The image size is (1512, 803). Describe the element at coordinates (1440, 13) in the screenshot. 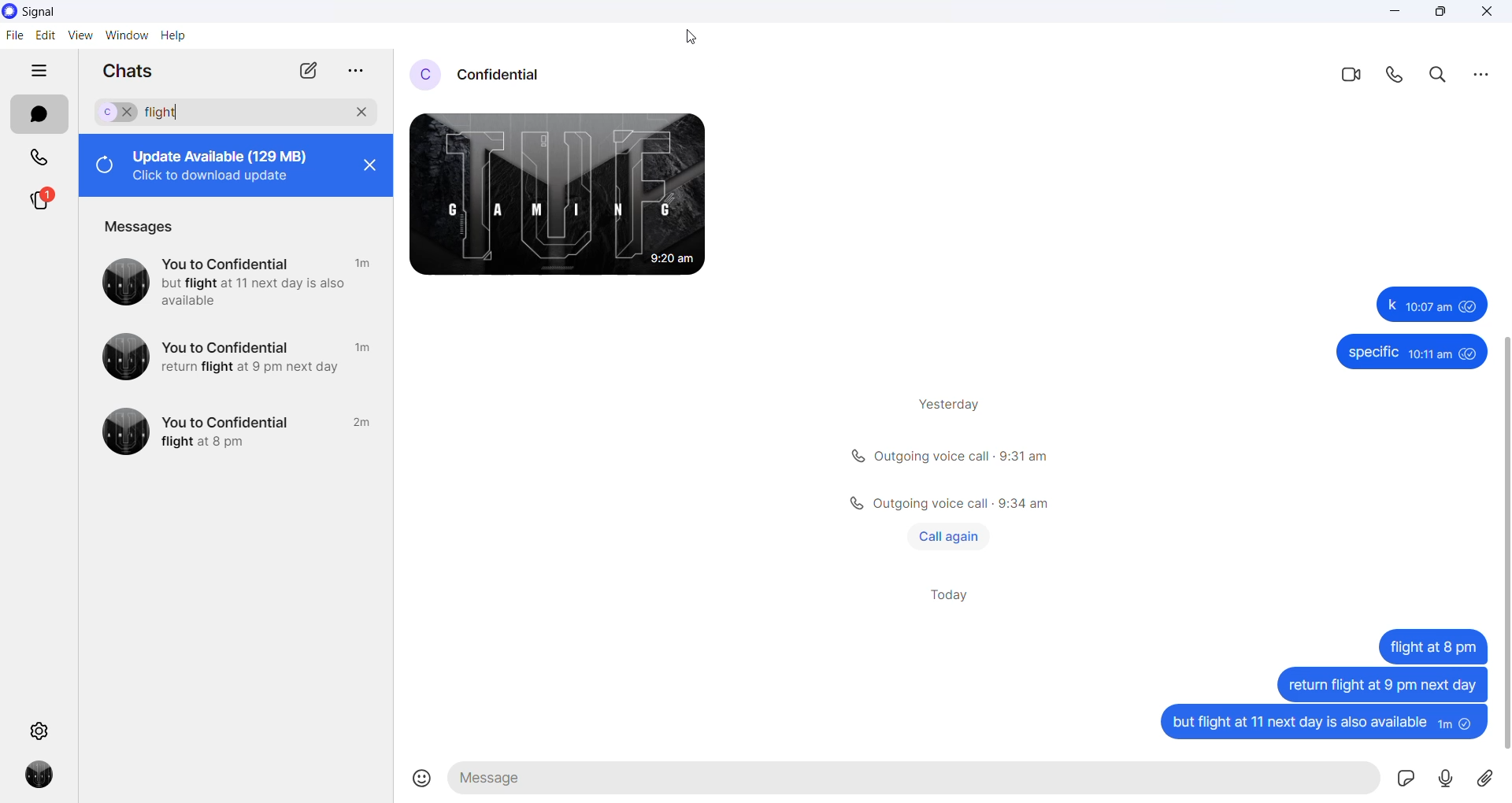

I see `maximize` at that location.